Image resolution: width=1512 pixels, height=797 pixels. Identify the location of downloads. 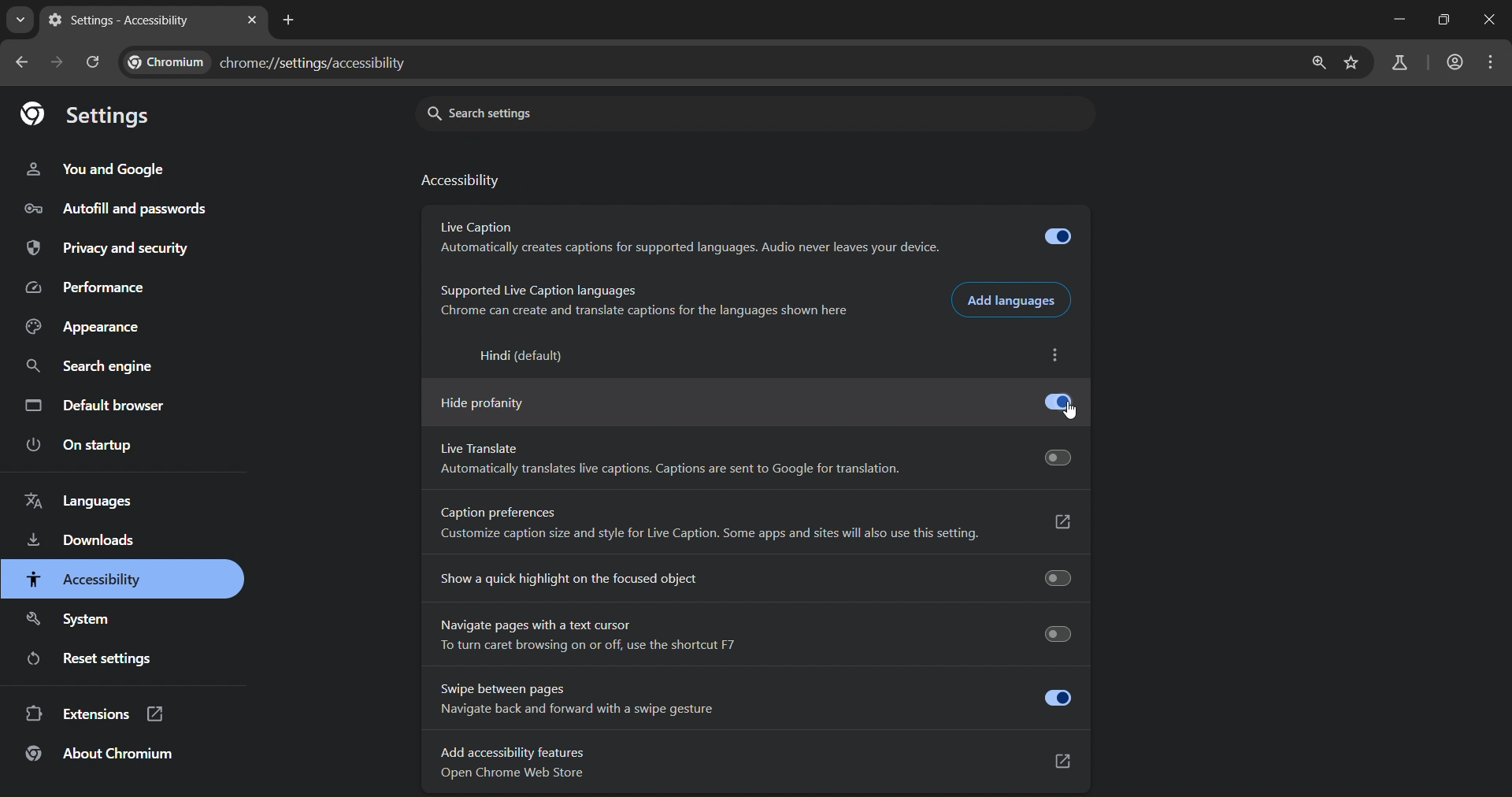
(86, 539).